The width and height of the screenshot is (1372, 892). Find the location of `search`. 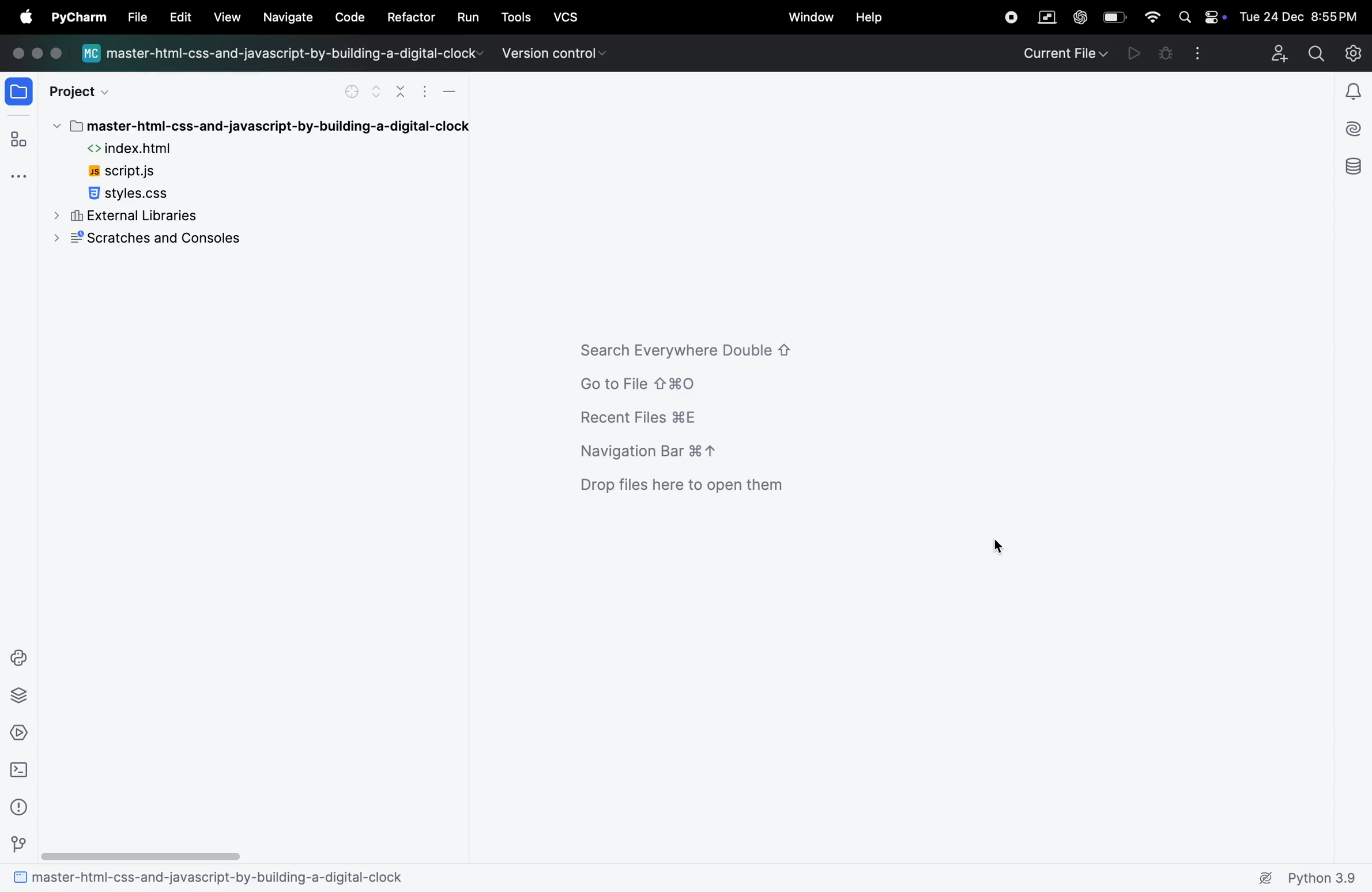

search is located at coordinates (1316, 52).